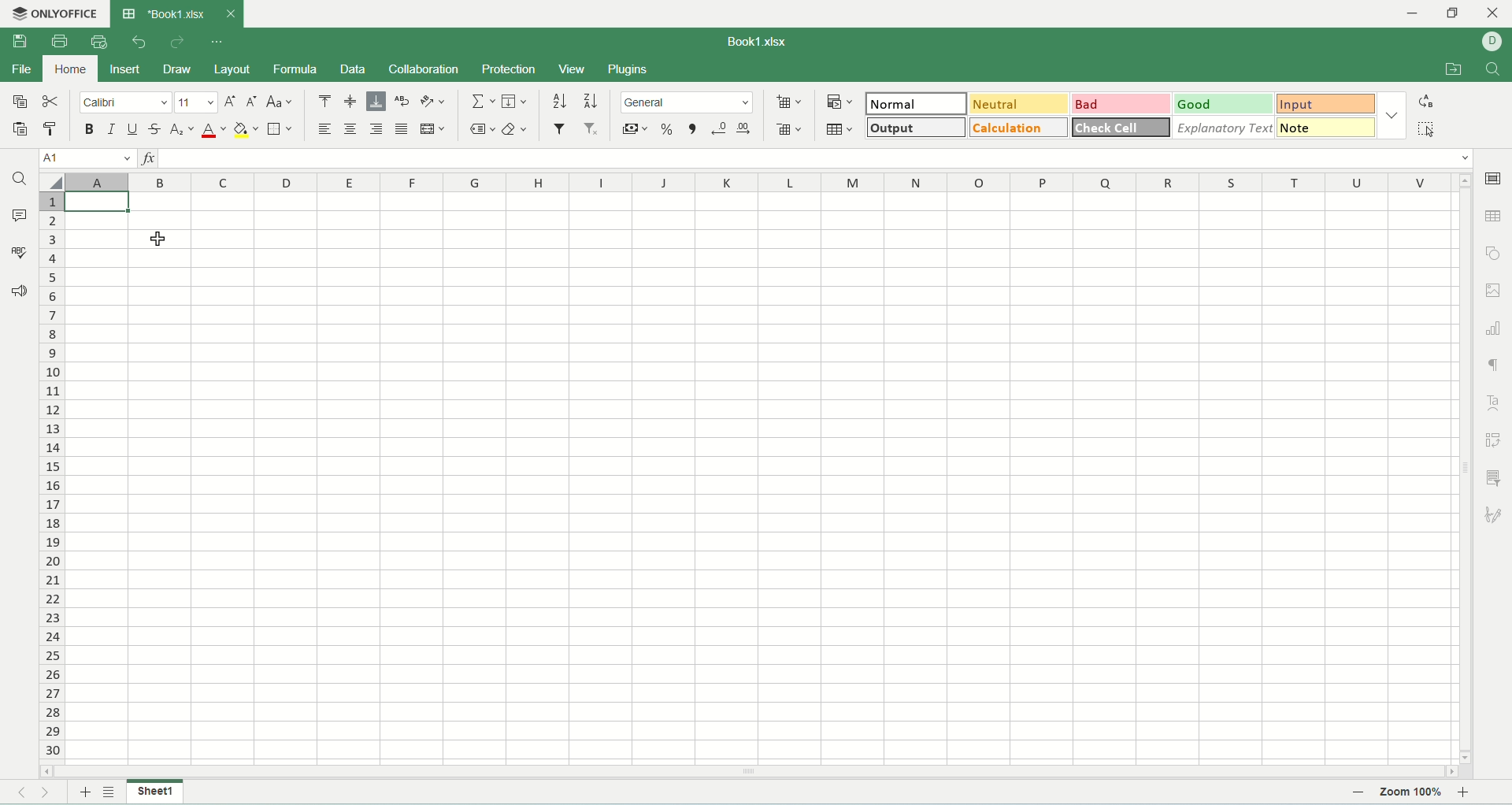 This screenshot has height=805, width=1512. Describe the element at coordinates (177, 43) in the screenshot. I see `redo` at that location.